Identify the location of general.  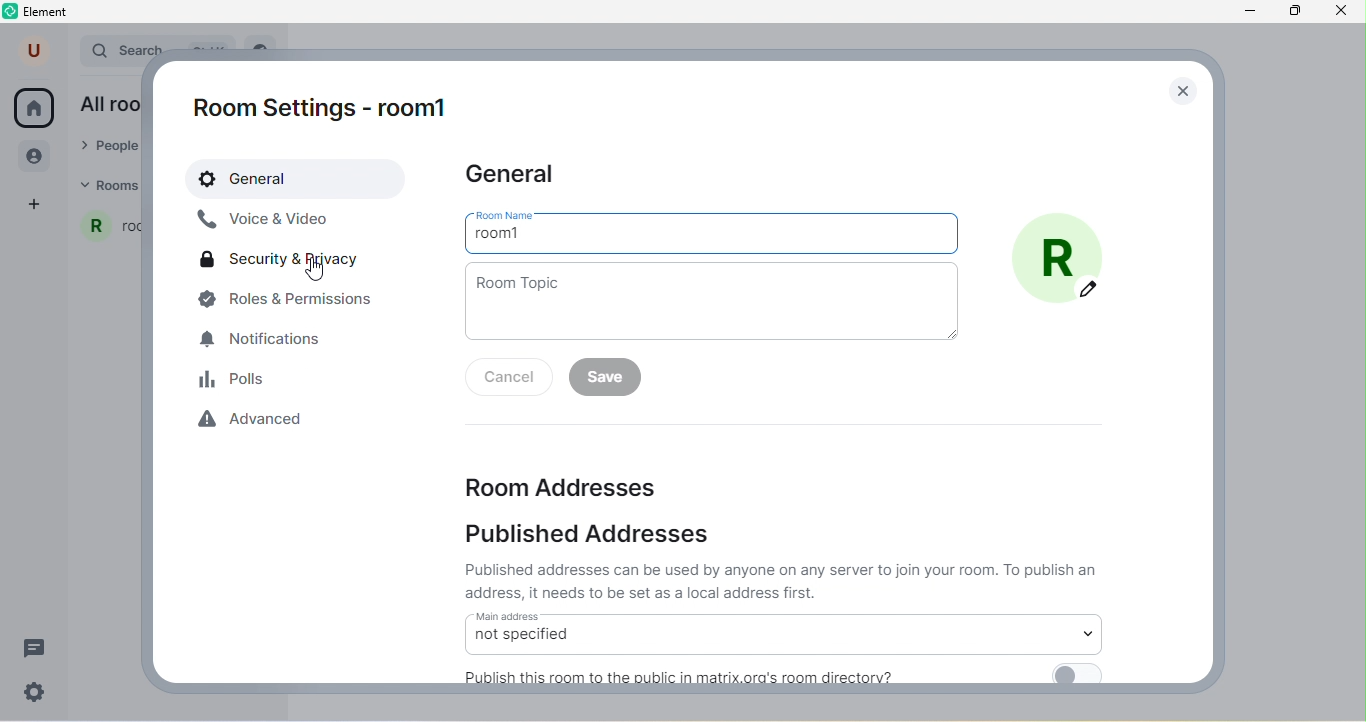
(518, 172).